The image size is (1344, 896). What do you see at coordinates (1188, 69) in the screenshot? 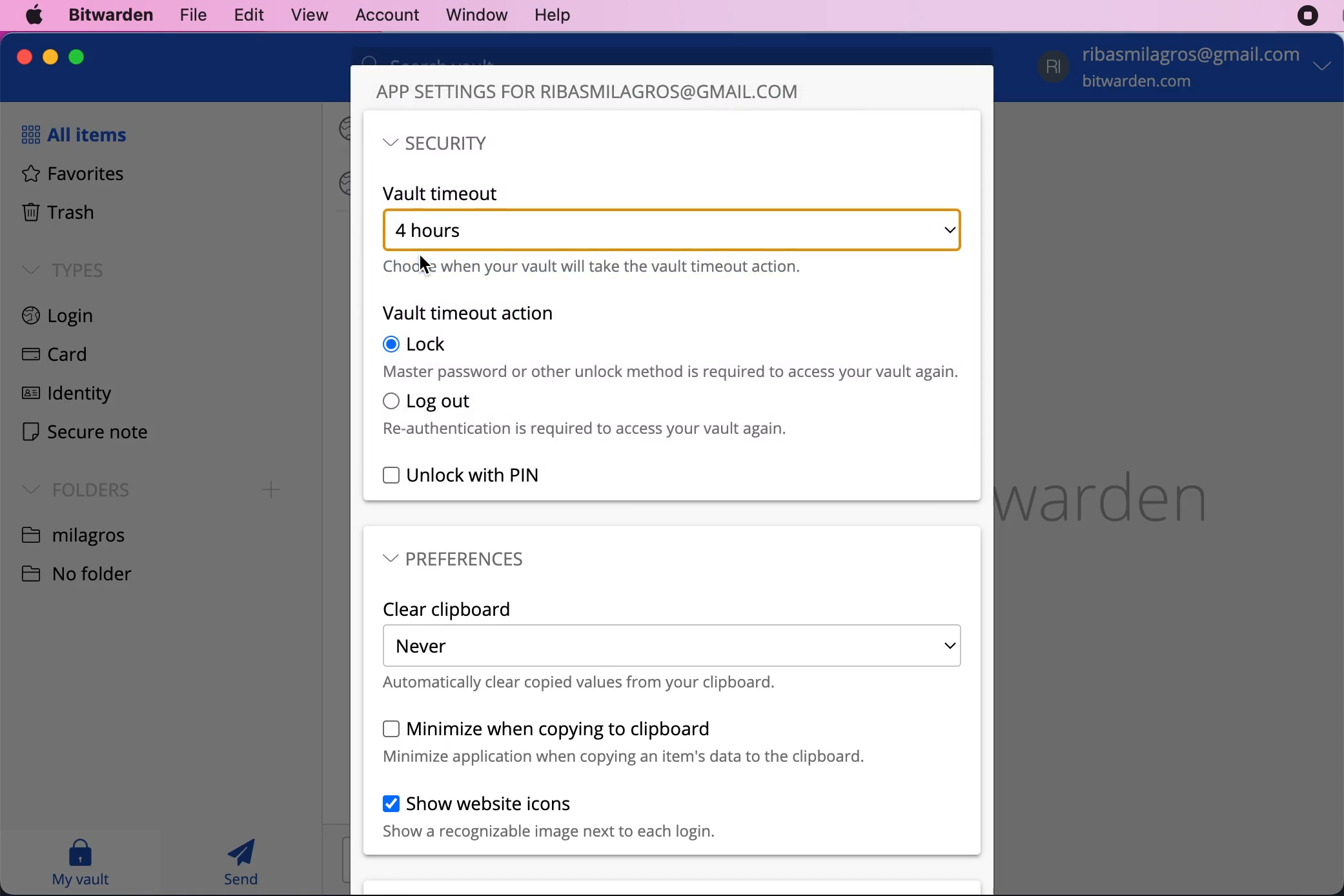
I see `account` at bounding box center [1188, 69].